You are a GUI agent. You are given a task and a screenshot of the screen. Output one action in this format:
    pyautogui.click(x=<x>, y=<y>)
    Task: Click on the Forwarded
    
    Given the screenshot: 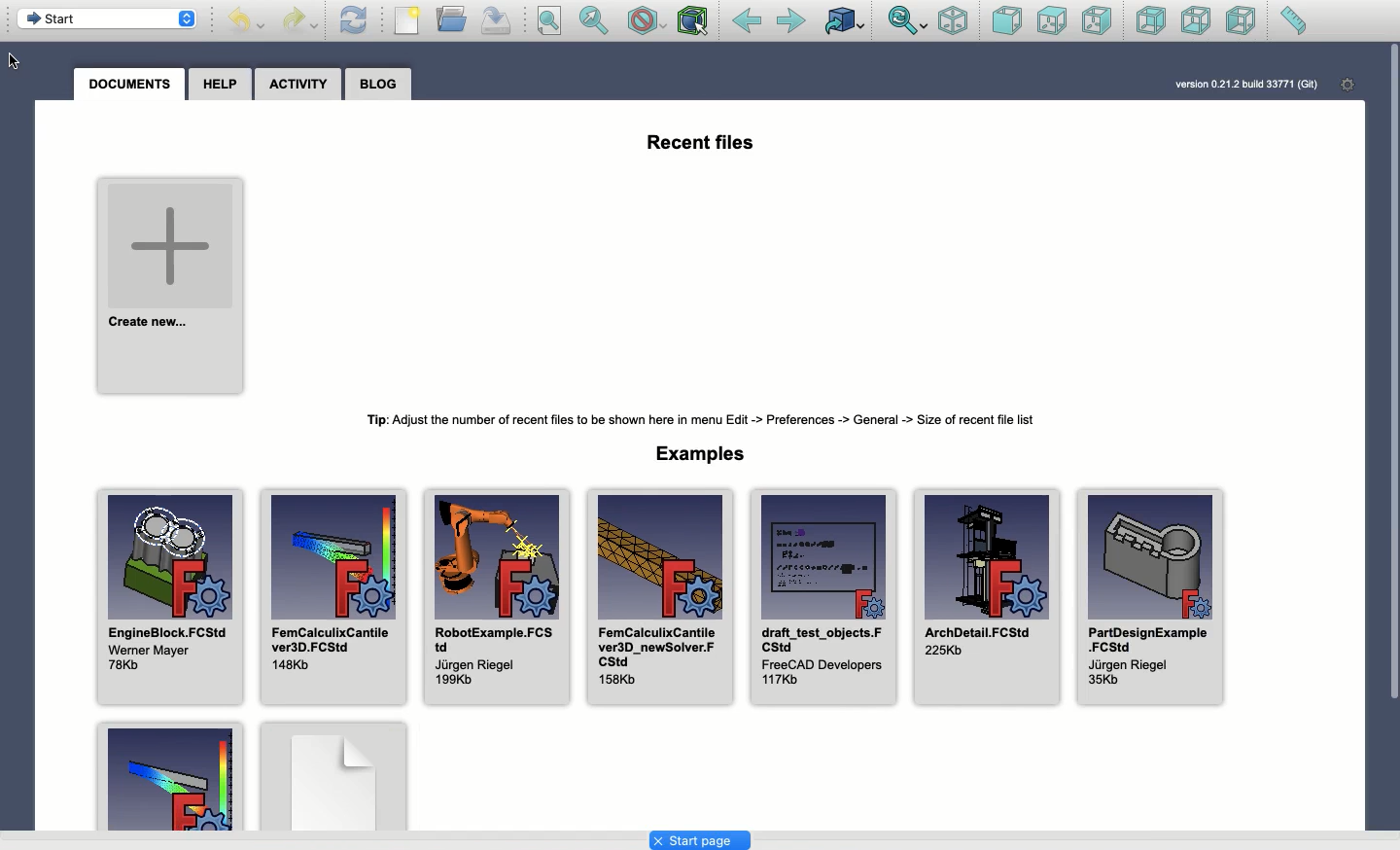 What is the action you would take?
    pyautogui.click(x=791, y=20)
    